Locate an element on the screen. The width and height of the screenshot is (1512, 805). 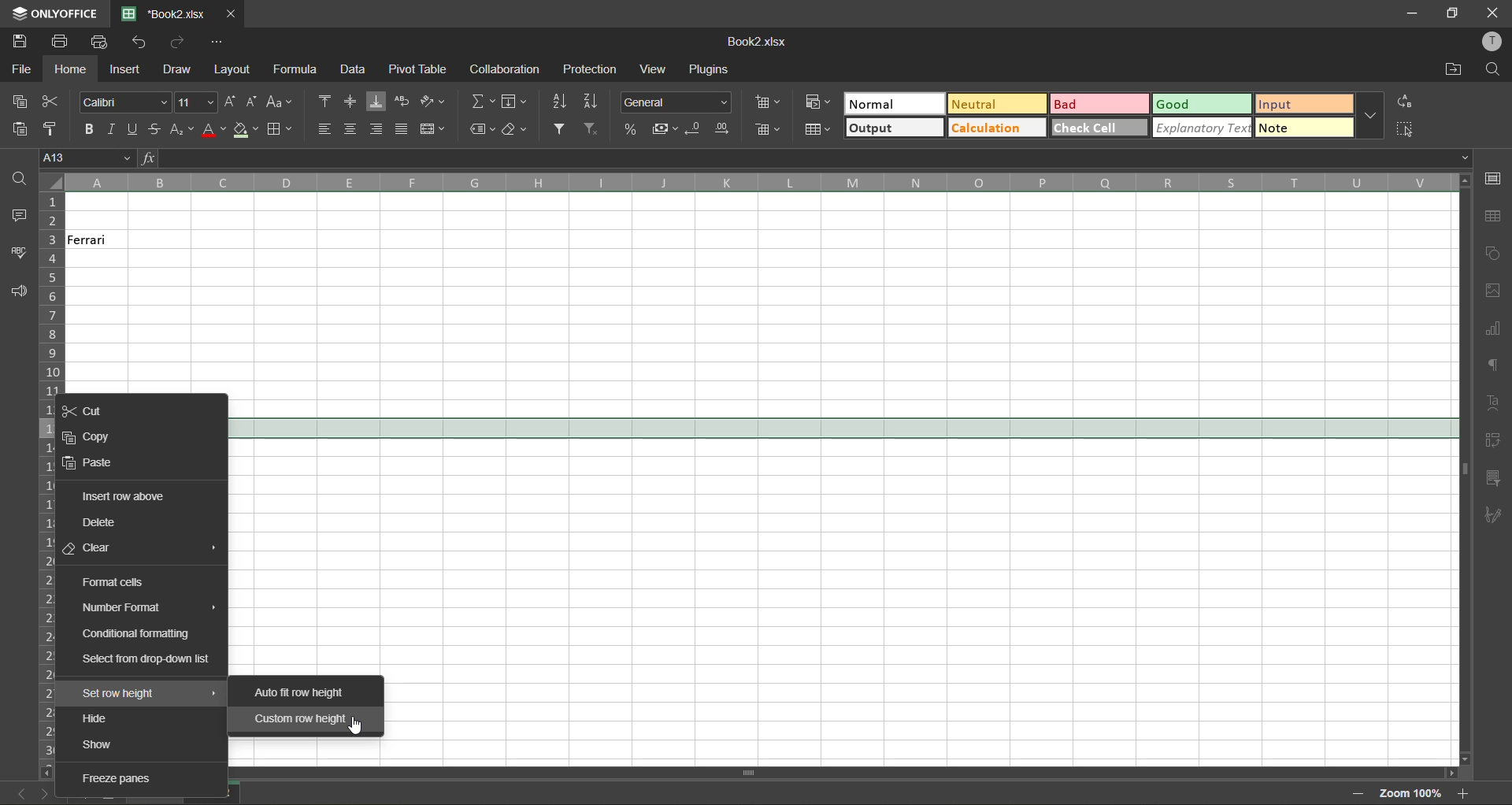
conditional formatting is located at coordinates (139, 635).